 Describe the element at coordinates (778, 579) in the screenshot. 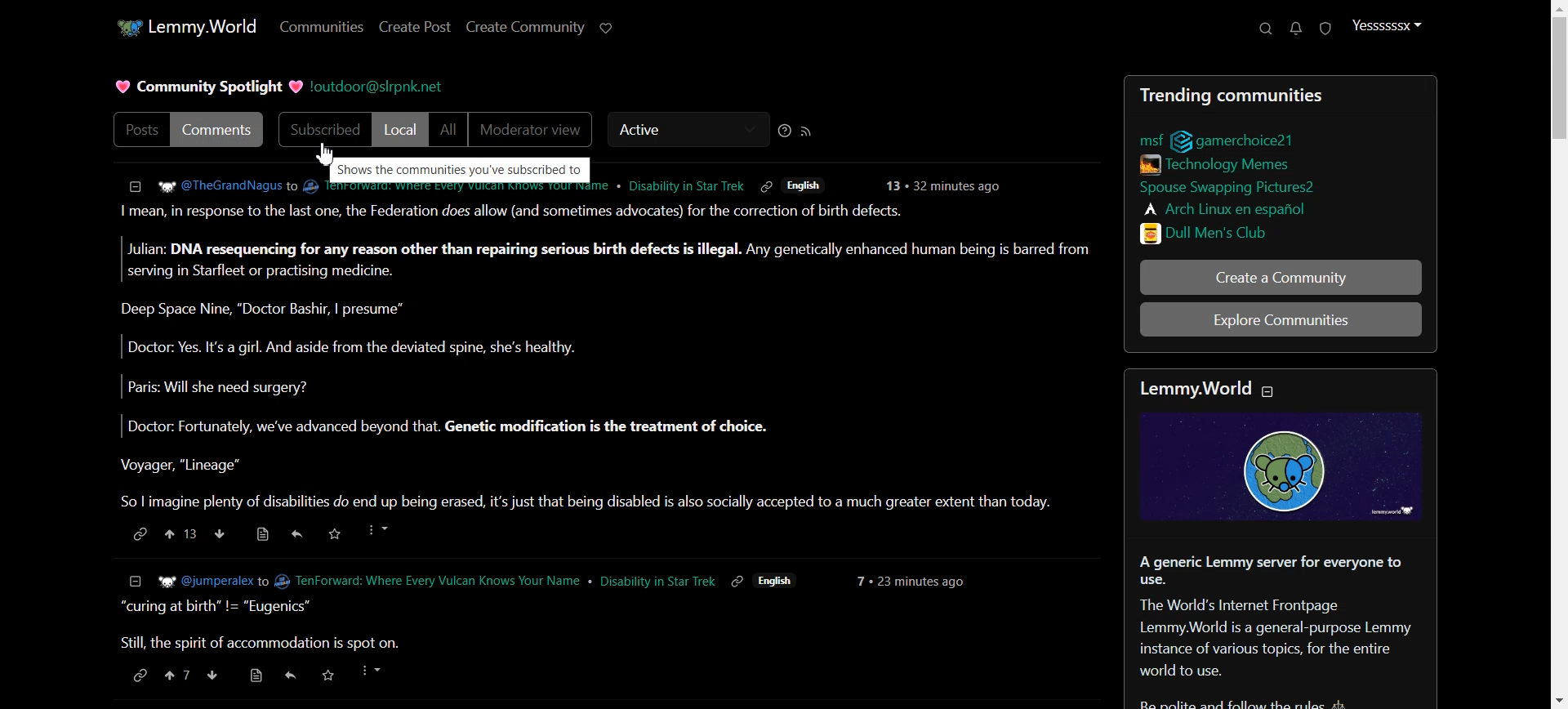

I see `english` at that location.